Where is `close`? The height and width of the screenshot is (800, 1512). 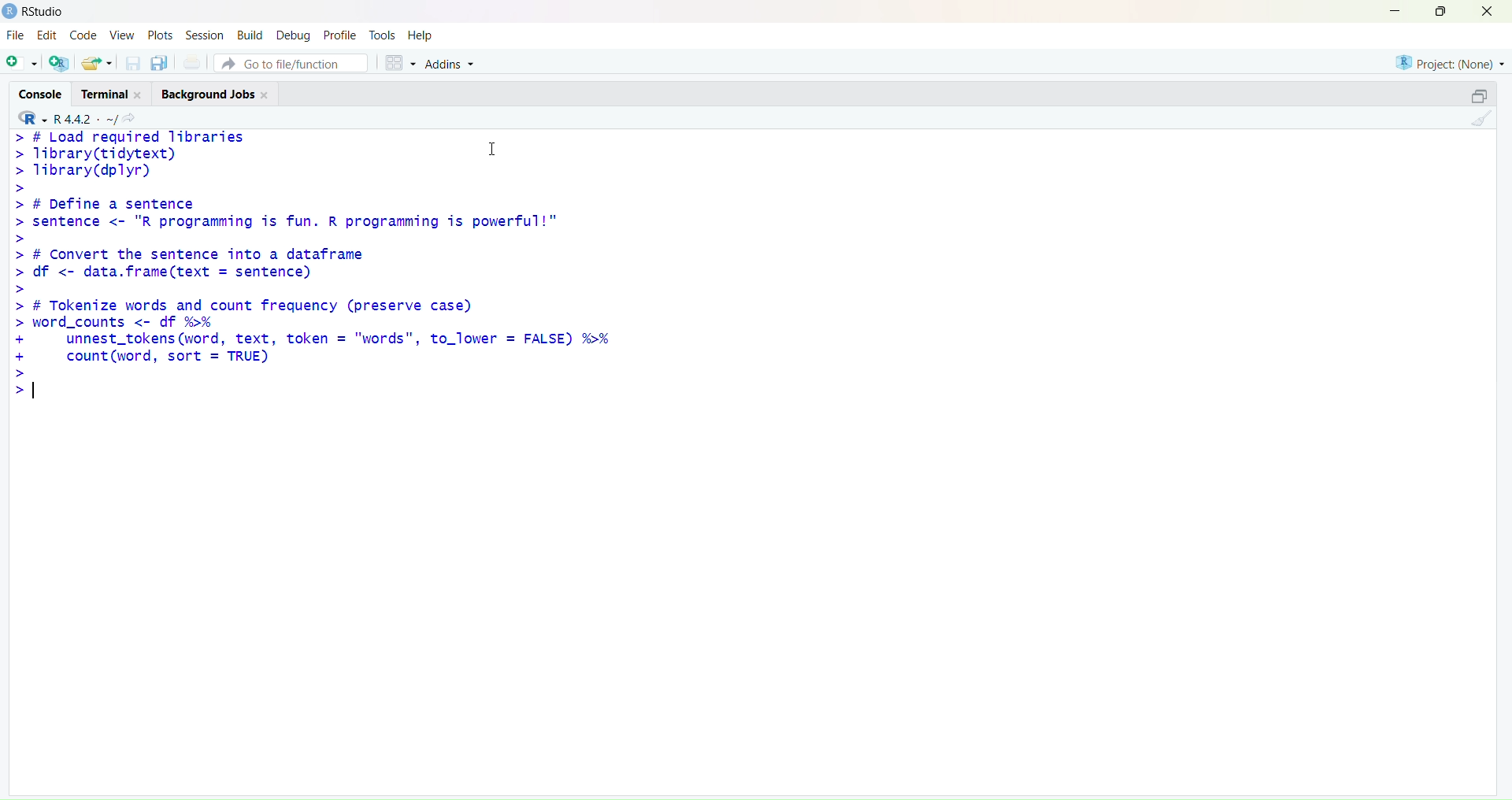 close is located at coordinates (1488, 12).